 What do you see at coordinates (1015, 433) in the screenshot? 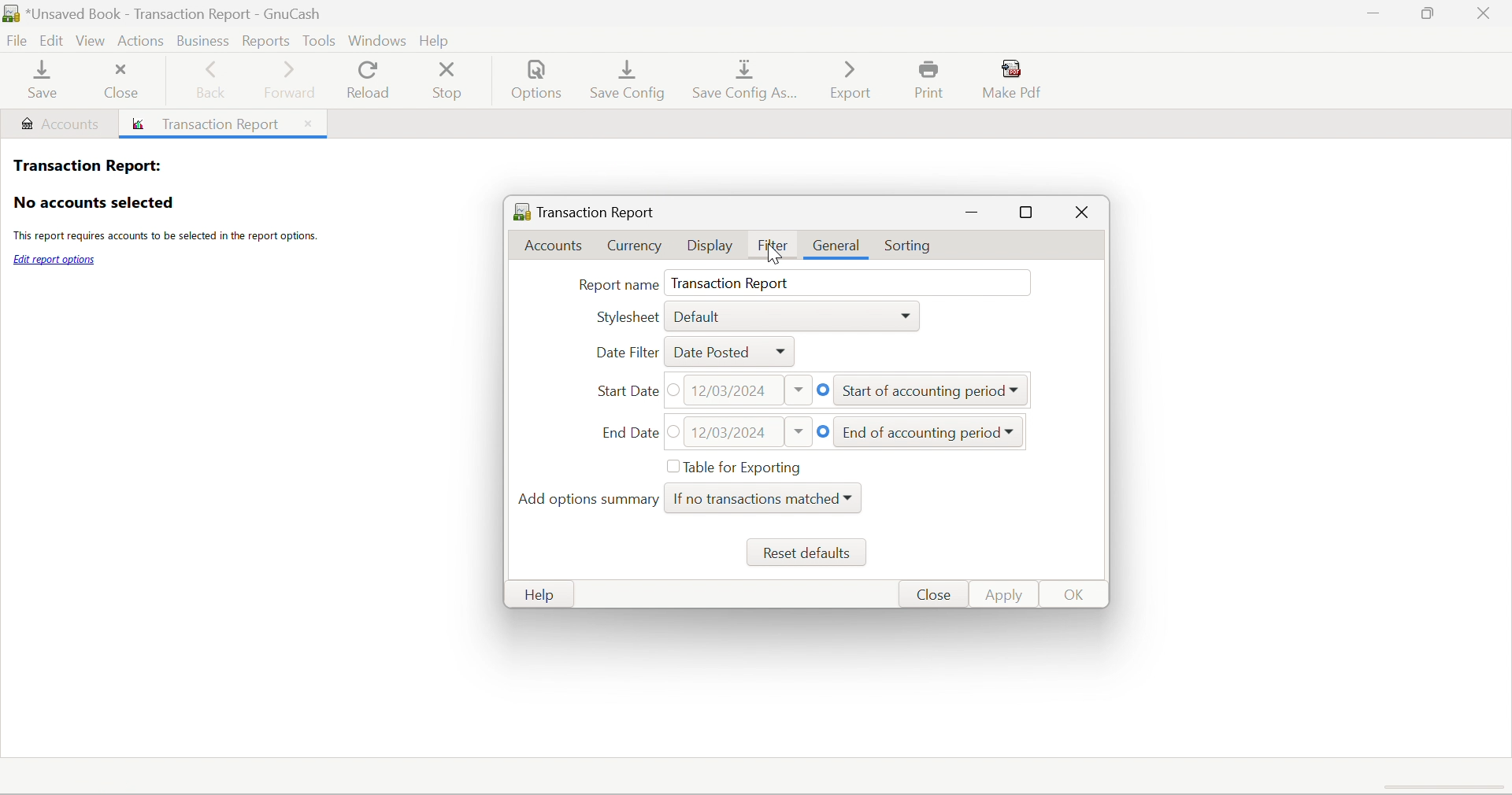
I see `Drop Down` at bounding box center [1015, 433].